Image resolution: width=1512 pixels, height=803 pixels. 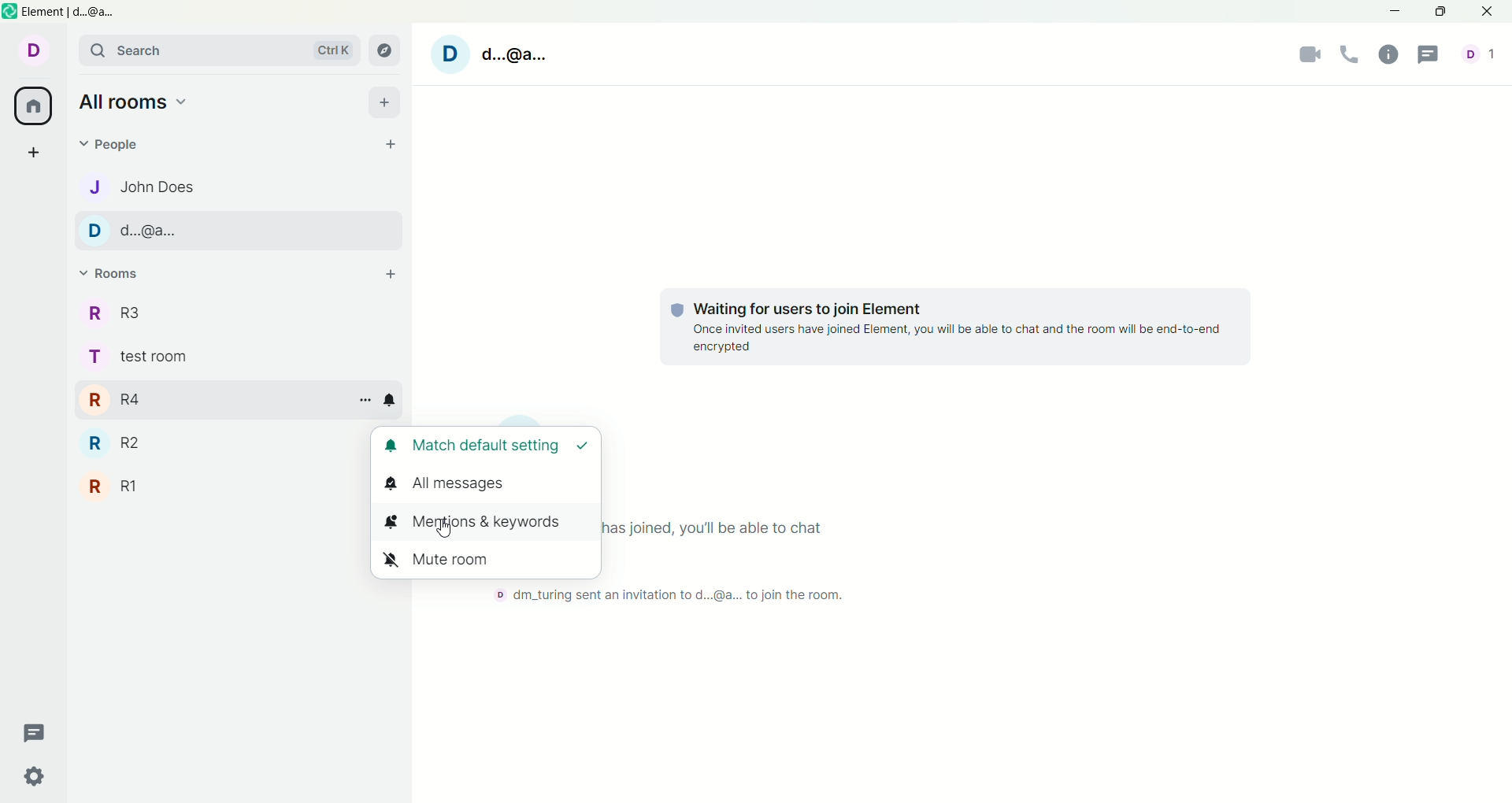 I want to click on room options, so click(x=366, y=400).